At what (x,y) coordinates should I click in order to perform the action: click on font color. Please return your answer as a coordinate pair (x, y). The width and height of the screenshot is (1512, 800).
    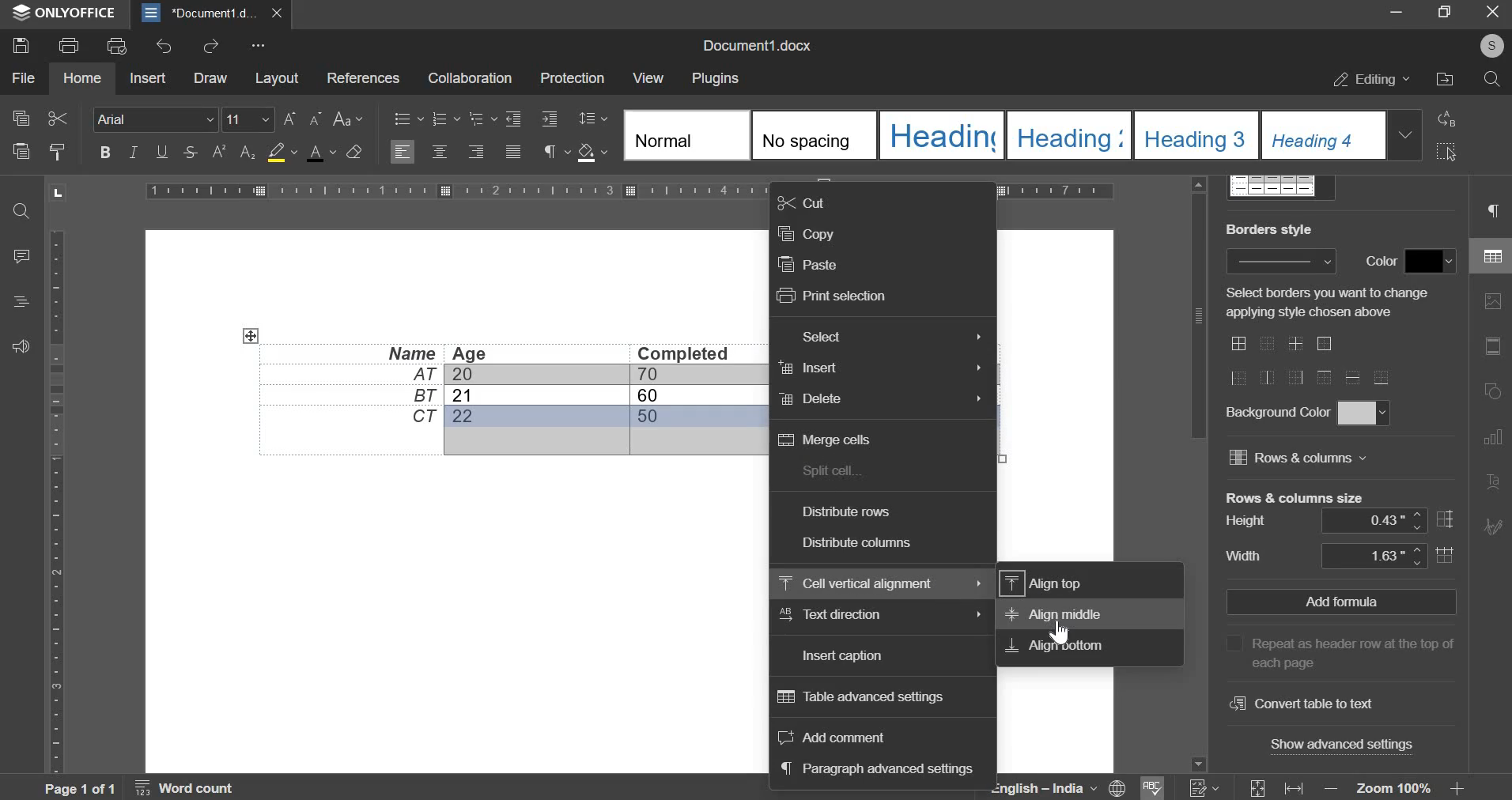
    Looking at the image, I should click on (320, 153).